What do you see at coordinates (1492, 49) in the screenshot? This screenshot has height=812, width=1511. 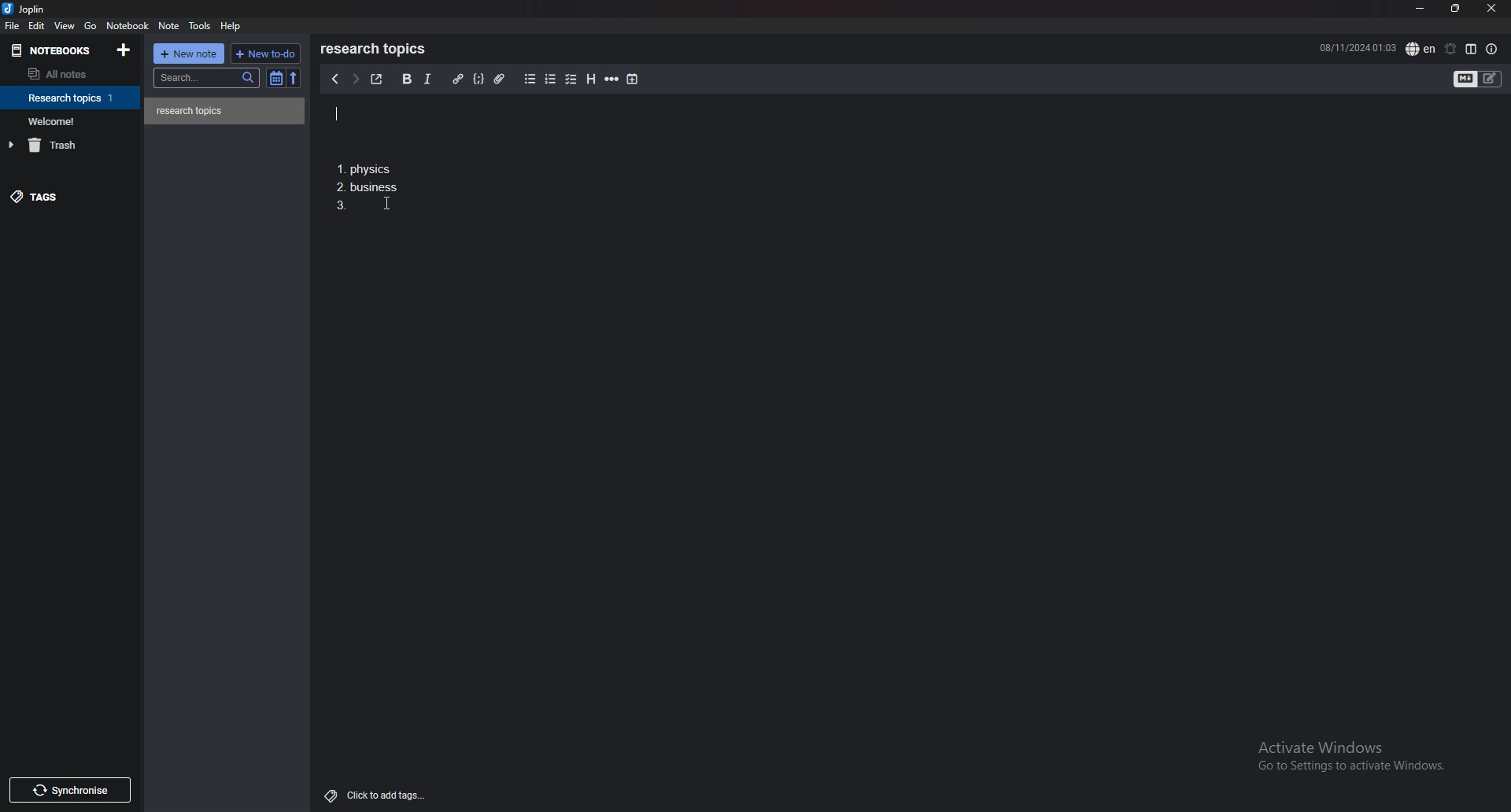 I see `note properties` at bounding box center [1492, 49].